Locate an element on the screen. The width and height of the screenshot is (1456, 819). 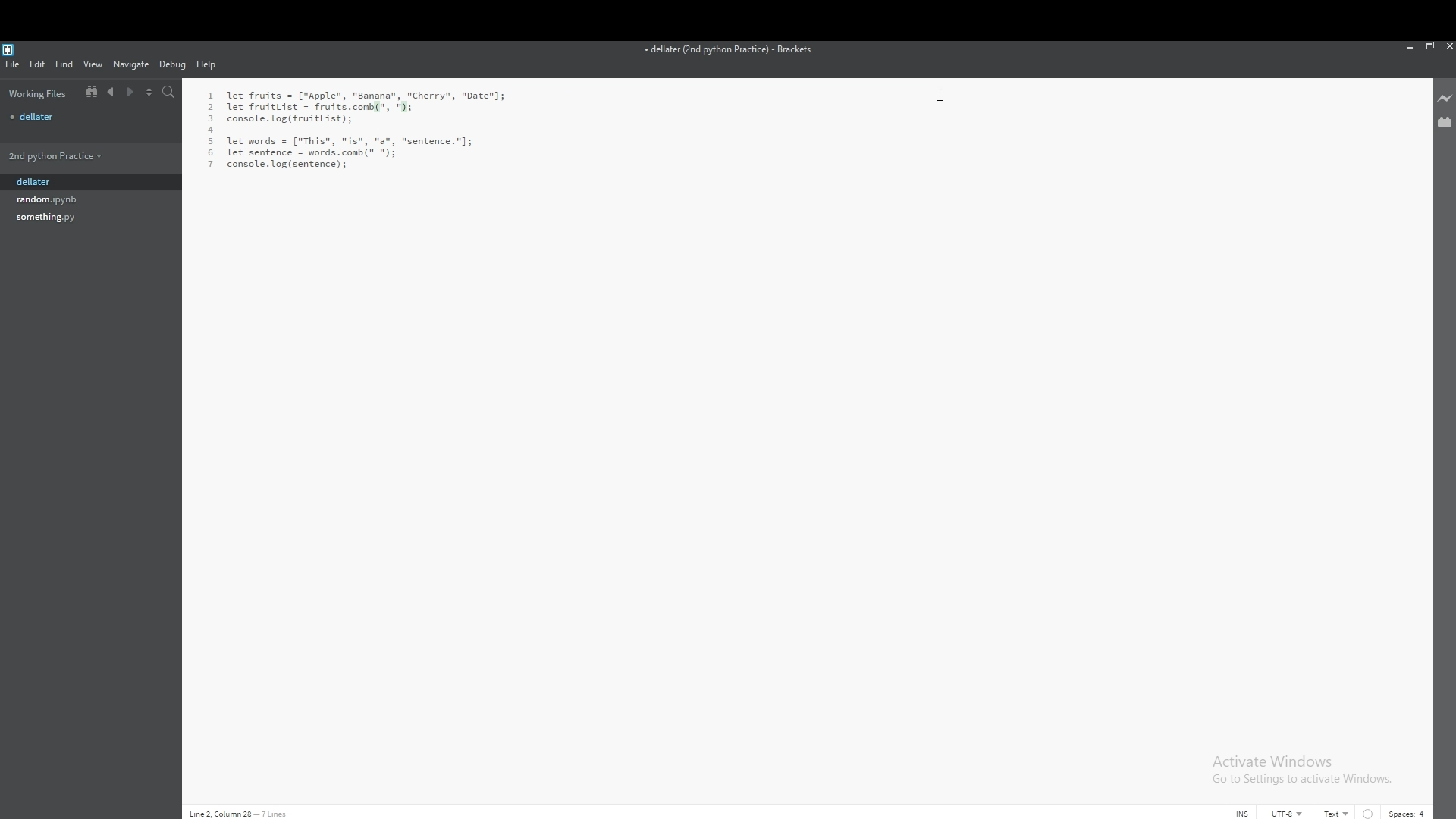
file is located at coordinates (14, 64).